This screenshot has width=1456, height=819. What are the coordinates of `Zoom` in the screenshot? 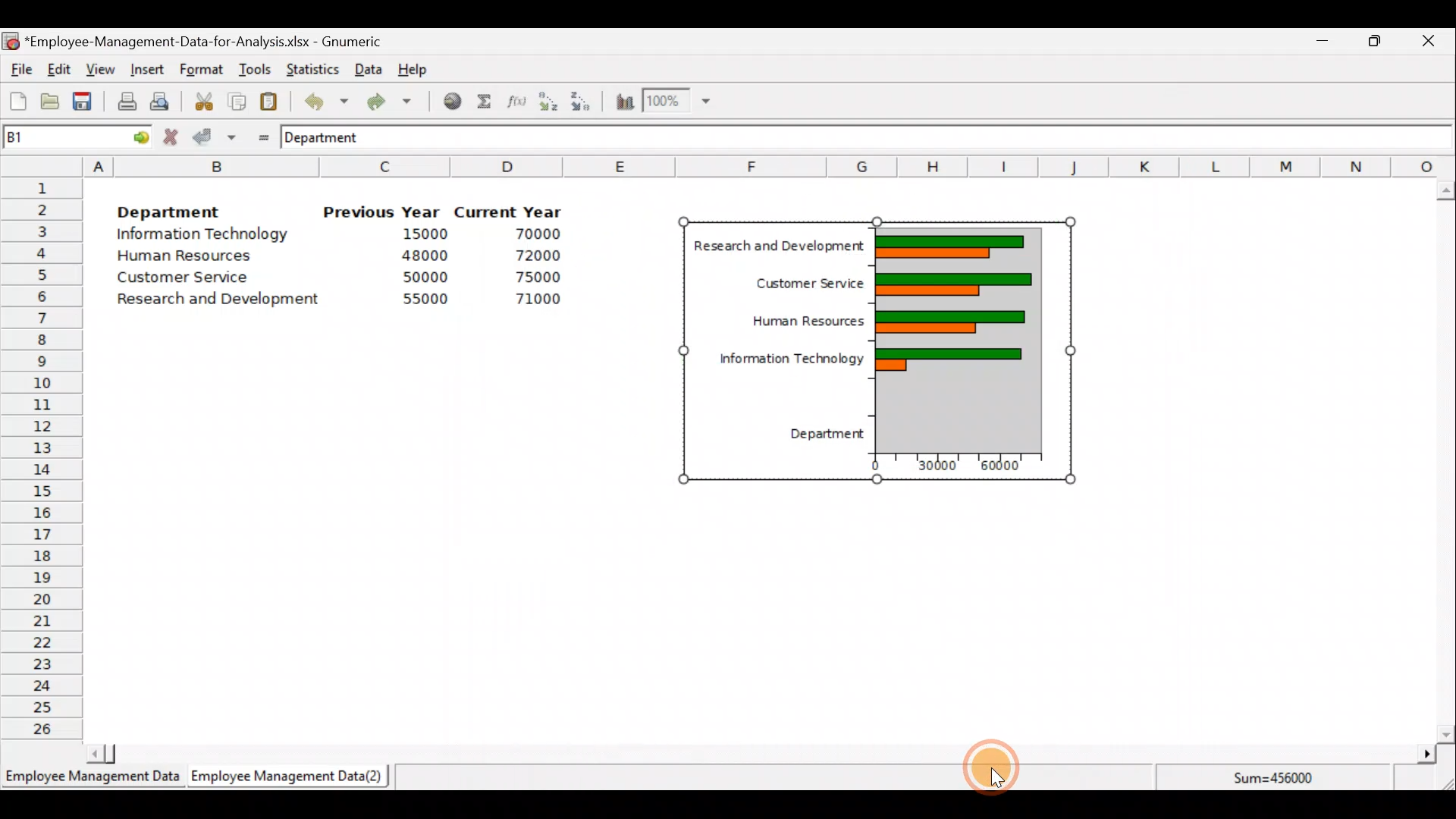 It's located at (678, 101).